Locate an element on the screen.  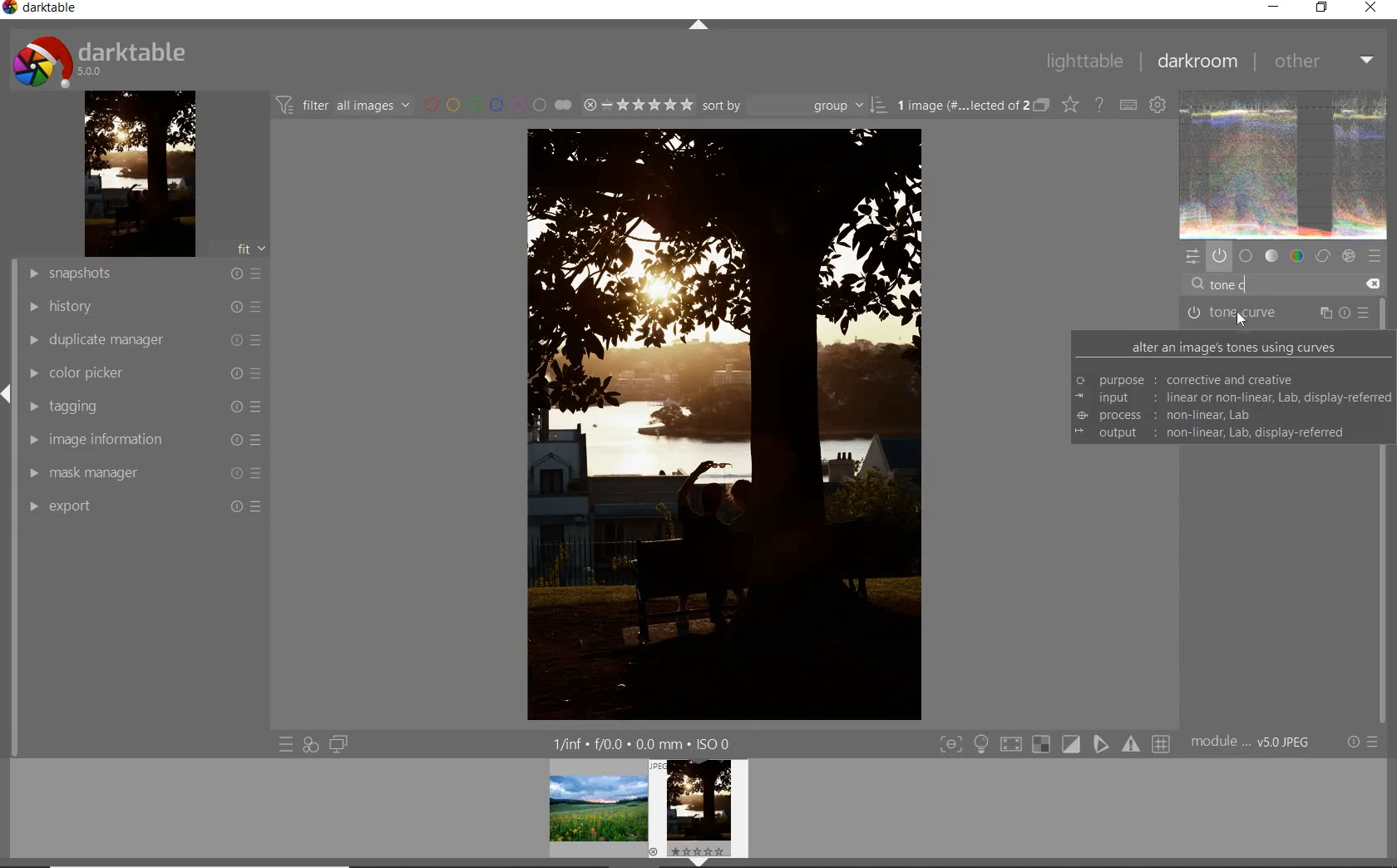
expand/collapse is located at coordinates (700, 28).